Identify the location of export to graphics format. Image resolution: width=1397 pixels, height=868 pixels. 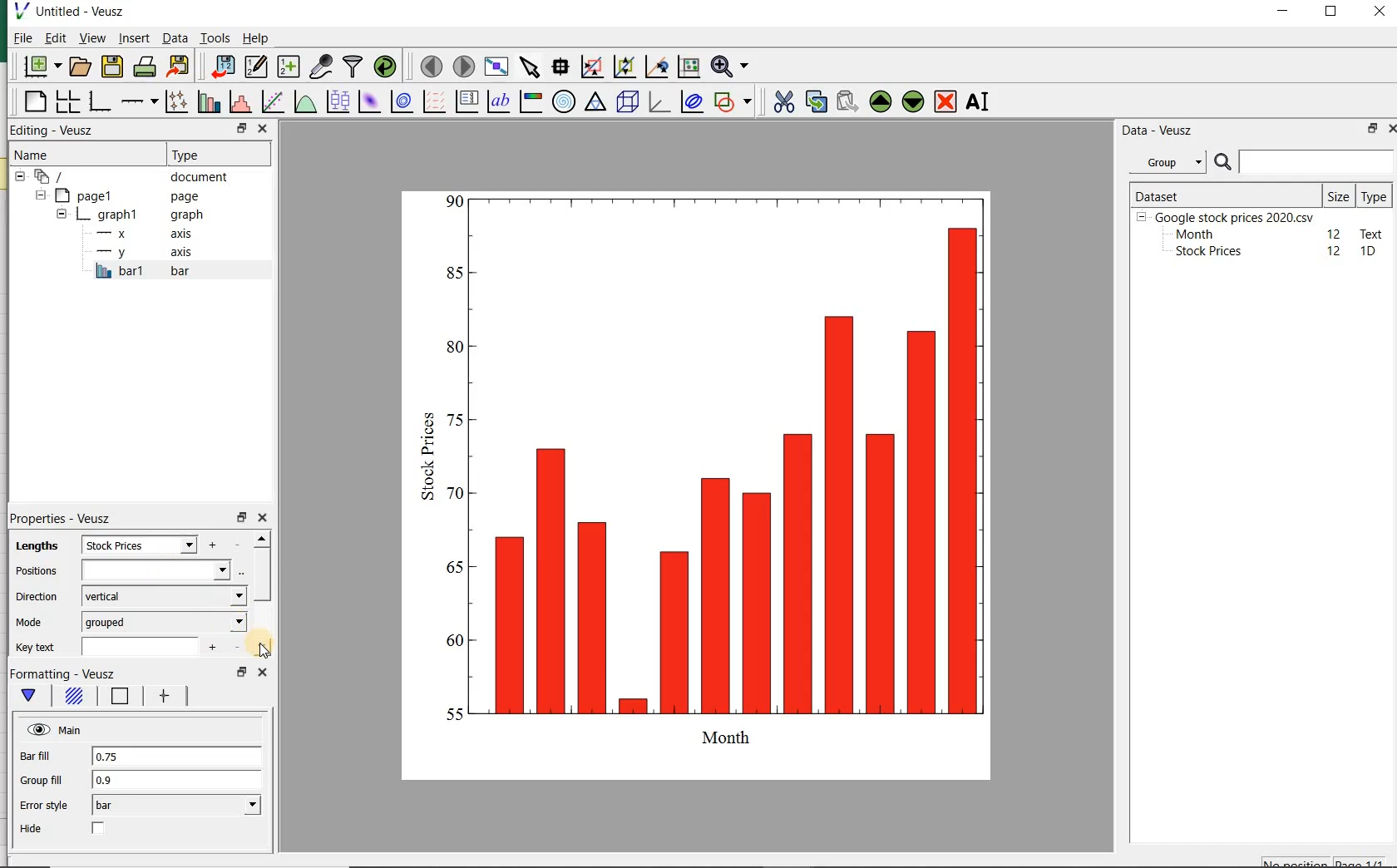
(179, 67).